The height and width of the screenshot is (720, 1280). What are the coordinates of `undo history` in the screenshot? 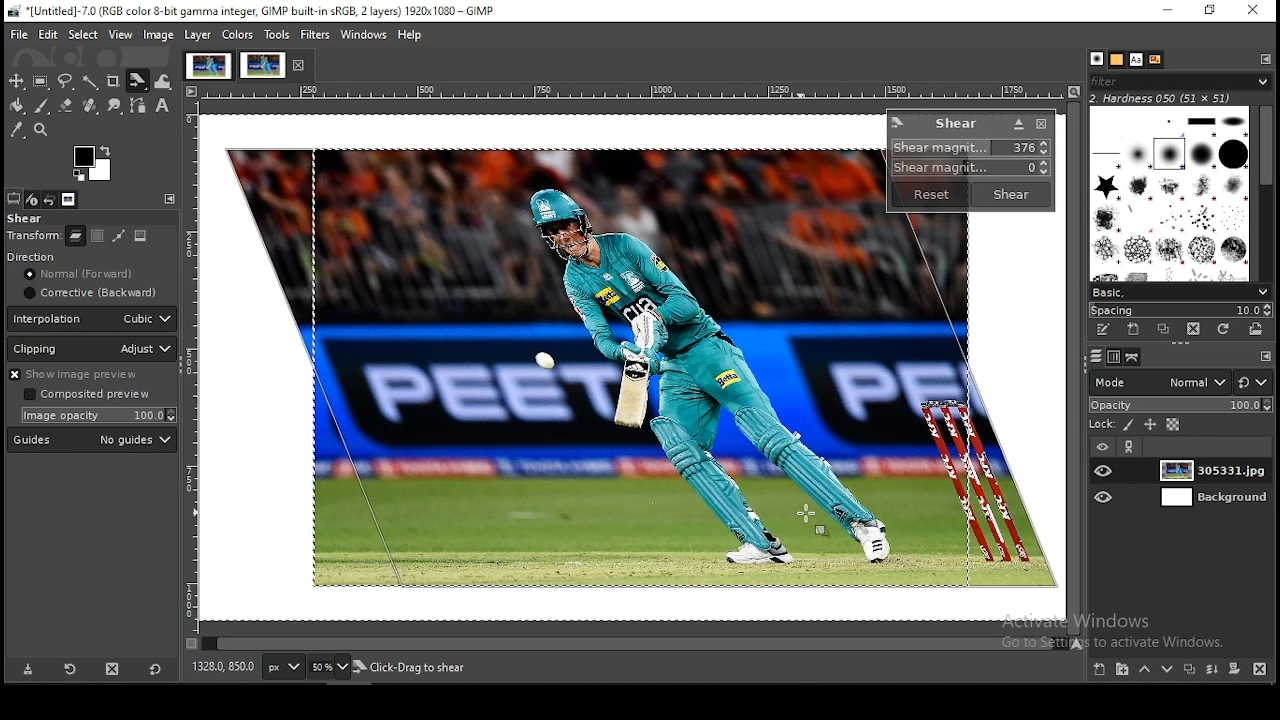 It's located at (52, 199).